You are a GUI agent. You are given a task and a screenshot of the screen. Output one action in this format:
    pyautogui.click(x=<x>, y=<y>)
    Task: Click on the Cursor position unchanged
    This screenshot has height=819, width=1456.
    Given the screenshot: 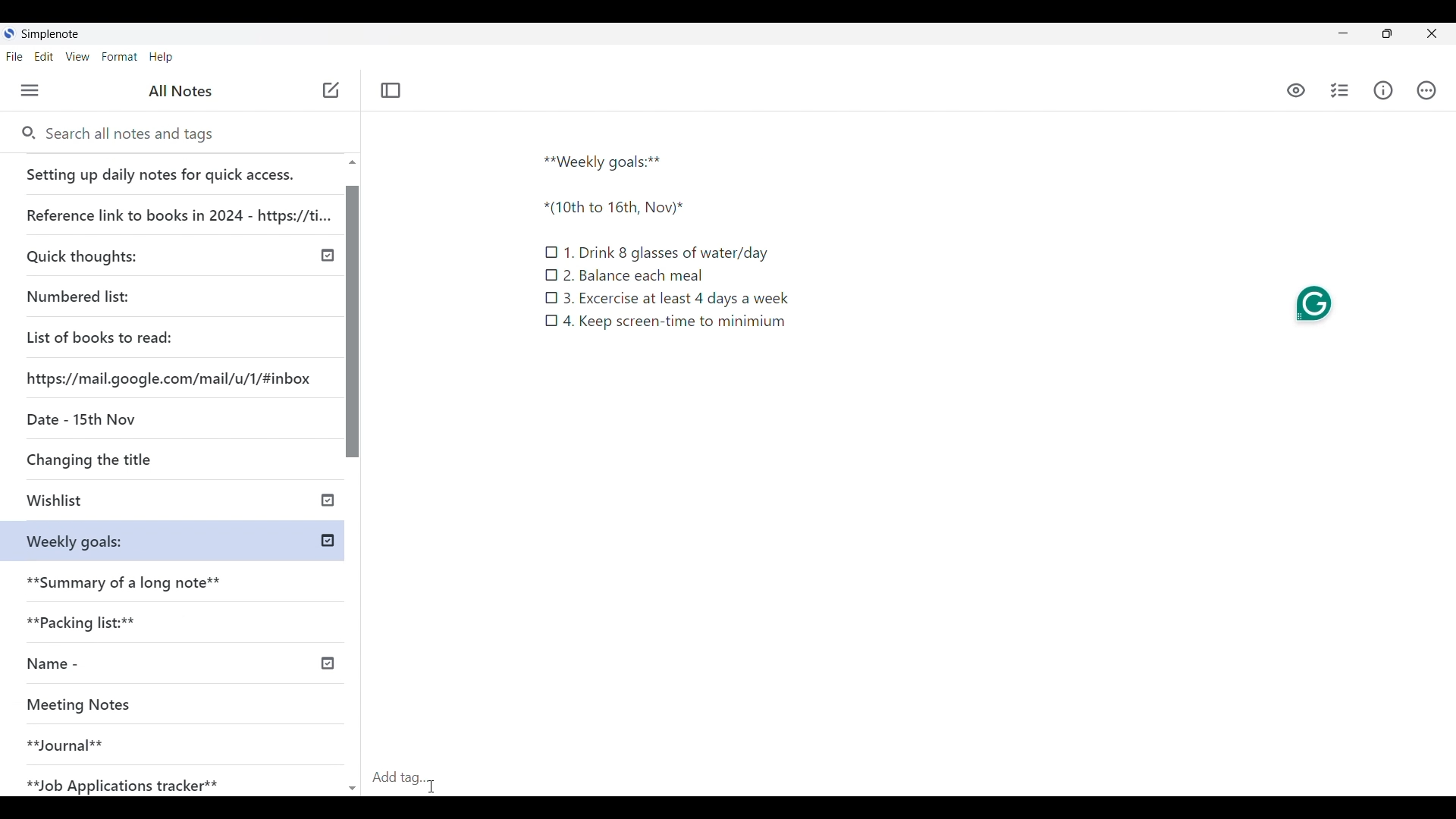 What is the action you would take?
    pyautogui.click(x=331, y=91)
    